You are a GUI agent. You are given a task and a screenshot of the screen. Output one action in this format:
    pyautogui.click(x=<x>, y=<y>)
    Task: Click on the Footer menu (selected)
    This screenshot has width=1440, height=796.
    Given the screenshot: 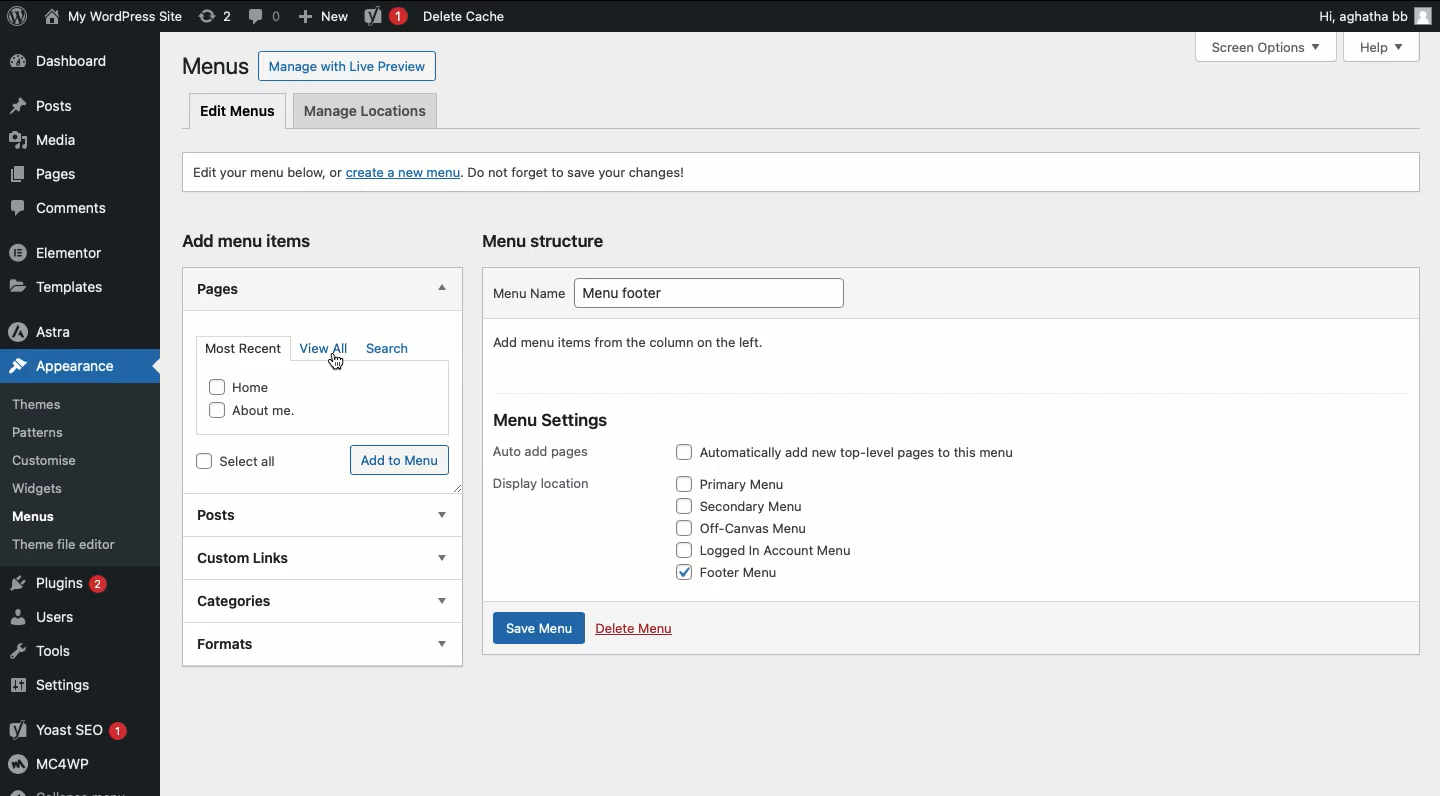 What is the action you would take?
    pyautogui.click(x=765, y=576)
    